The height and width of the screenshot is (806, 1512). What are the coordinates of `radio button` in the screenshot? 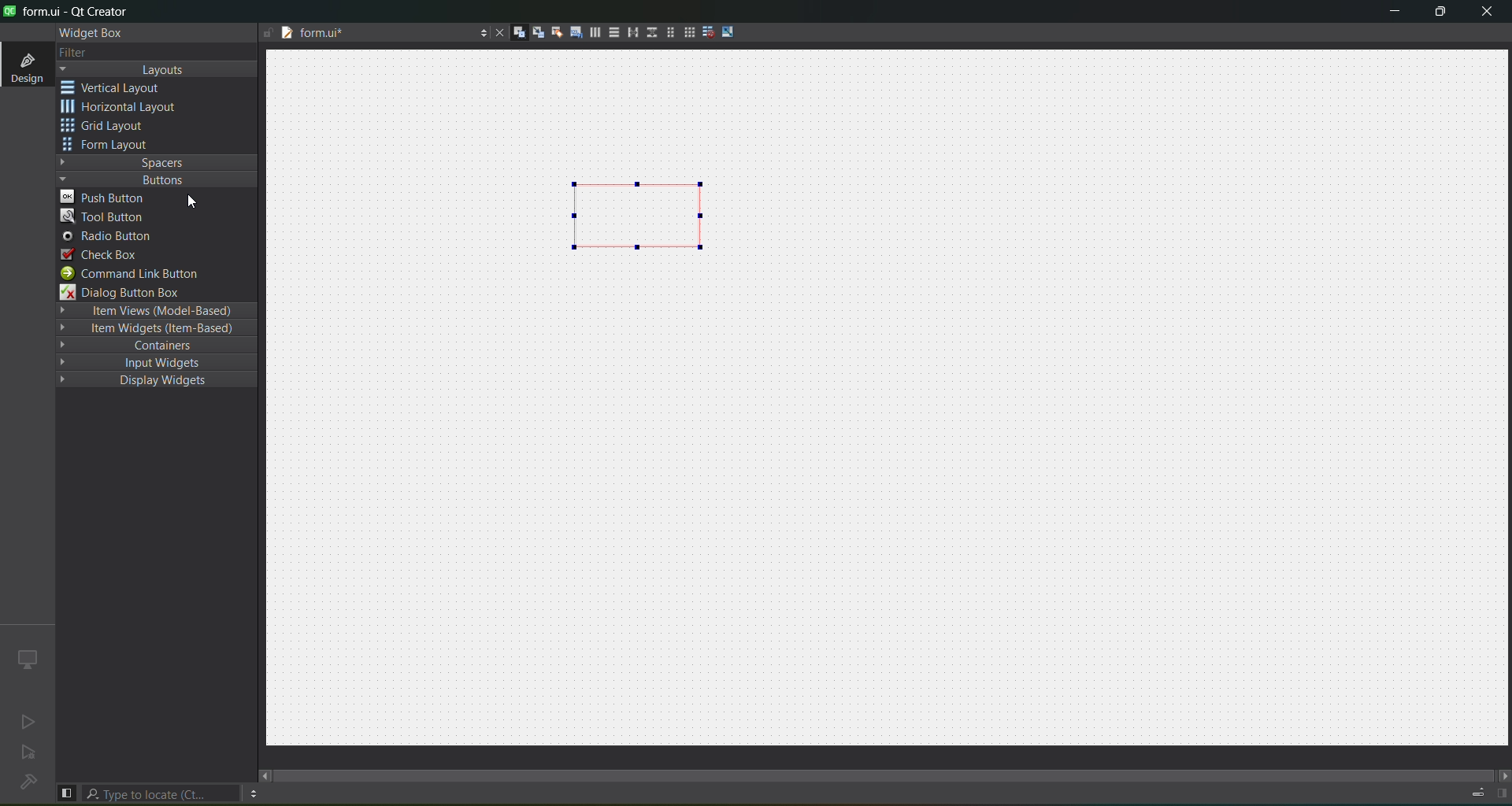 It's located at (107, 238).